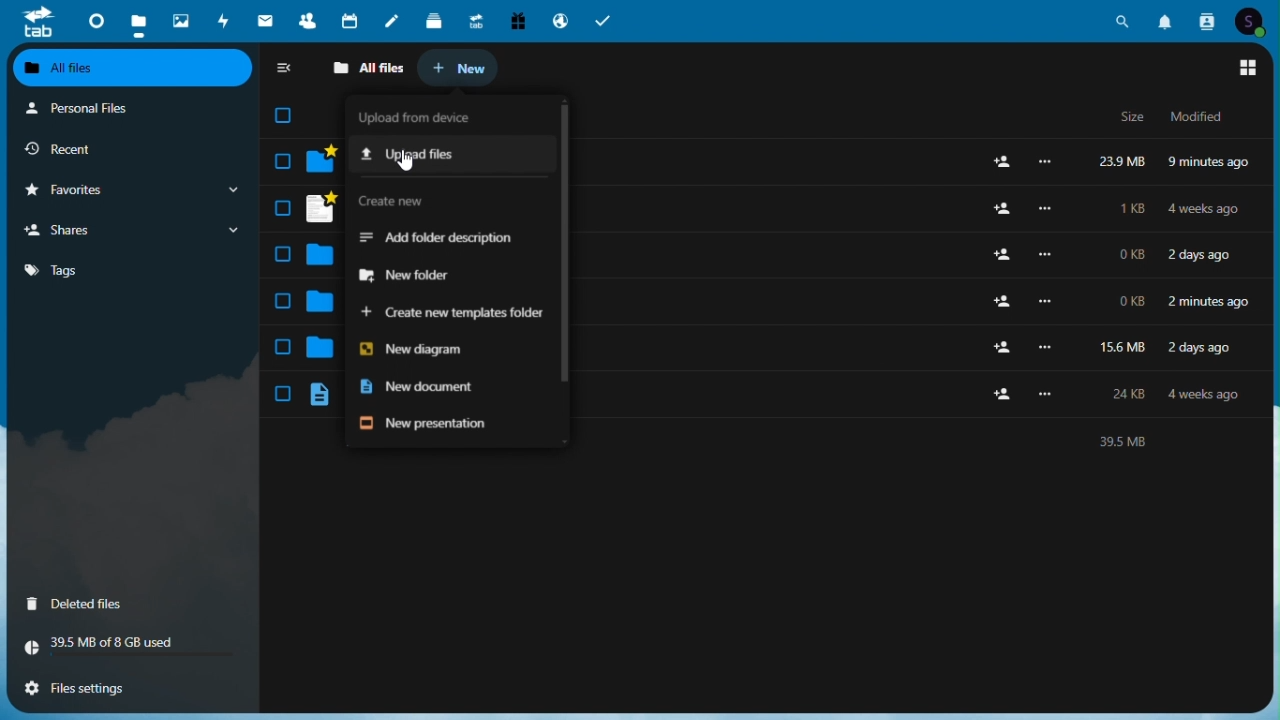  I want to click on all files, so click(131, 68).